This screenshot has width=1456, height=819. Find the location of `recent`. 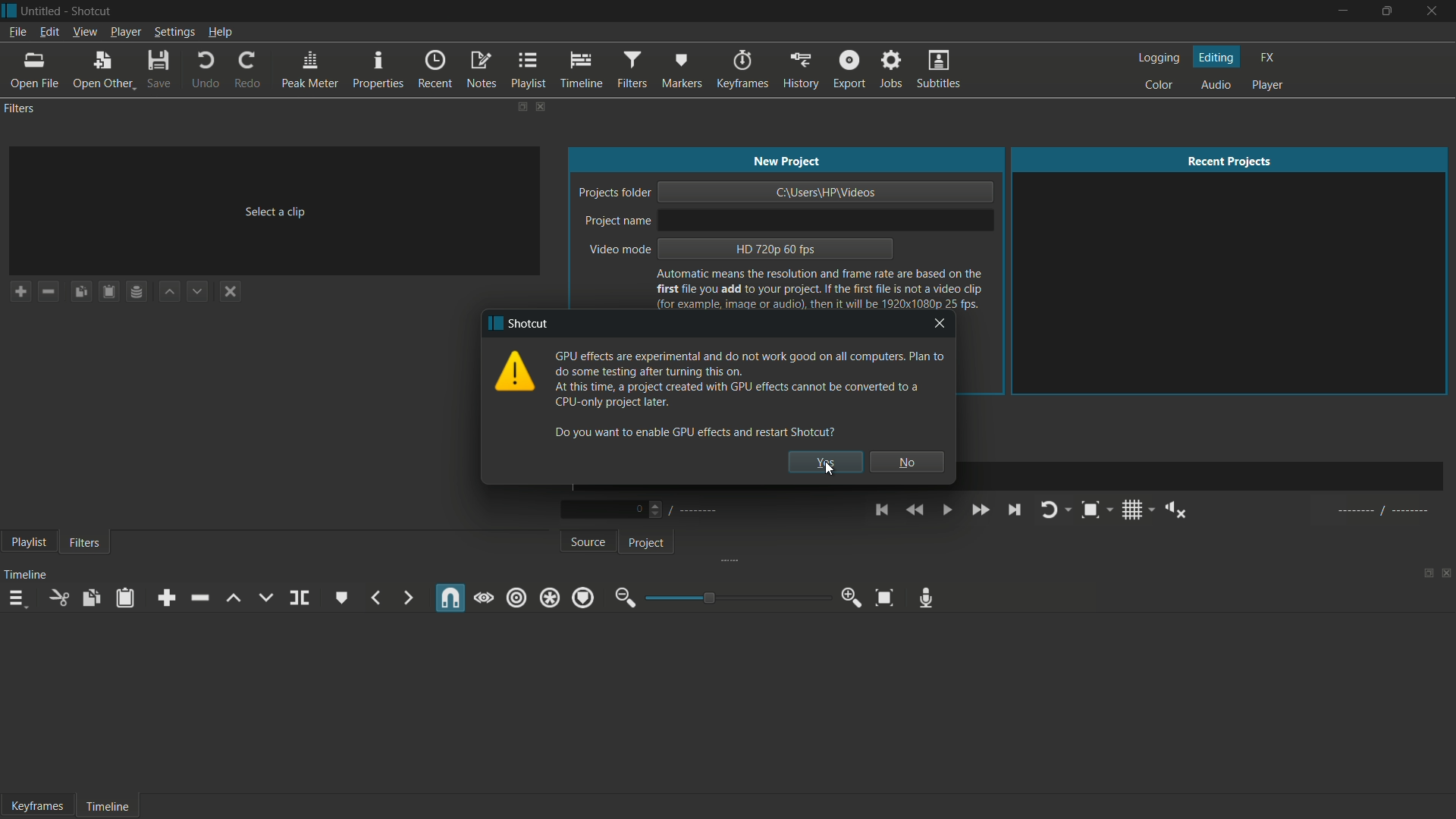

recent is located at coordinates (437, 70).